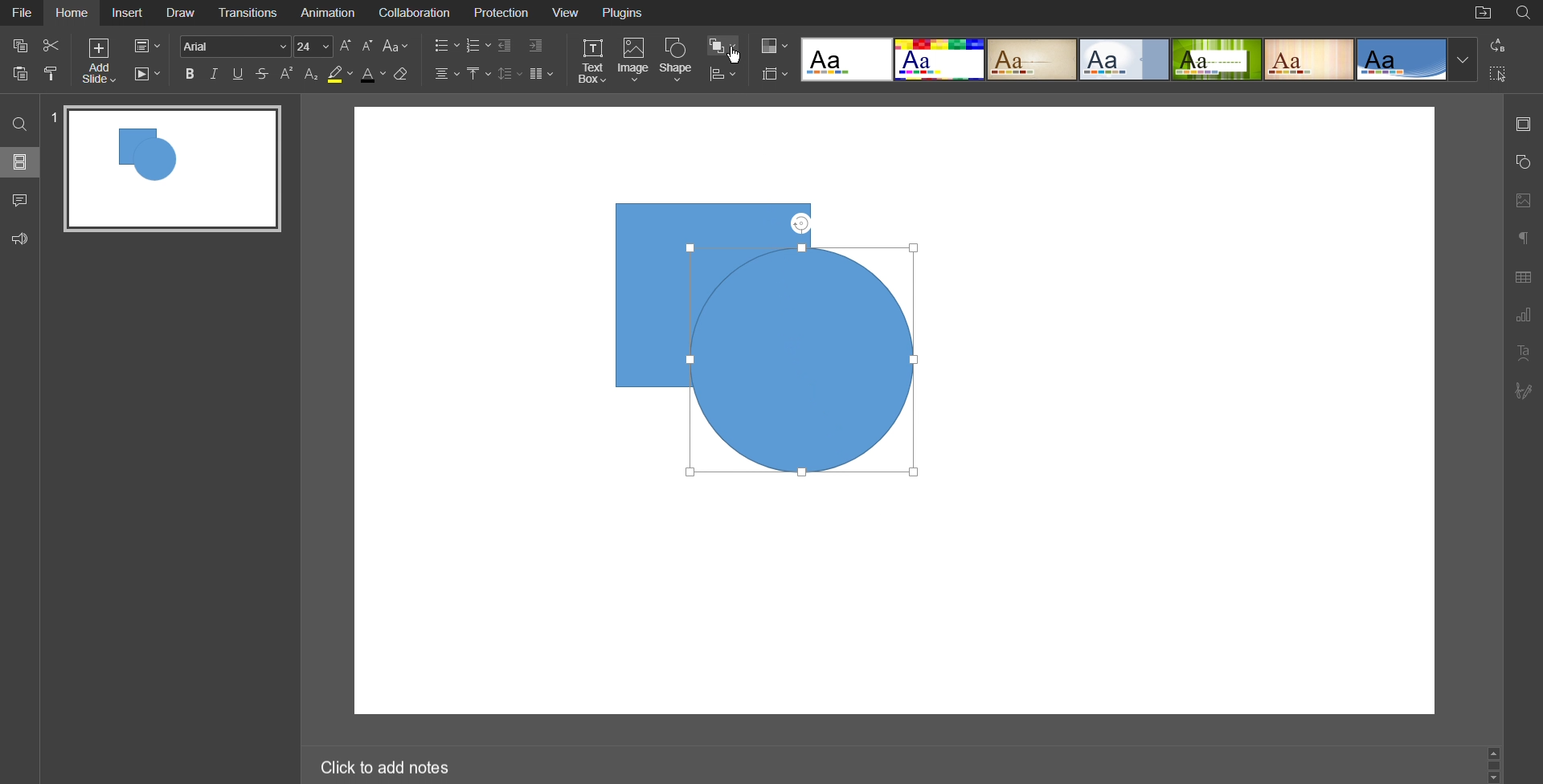  Describe the element at coordinates (1483, 12) in the screenshot. I see `Open File Location` at that location.